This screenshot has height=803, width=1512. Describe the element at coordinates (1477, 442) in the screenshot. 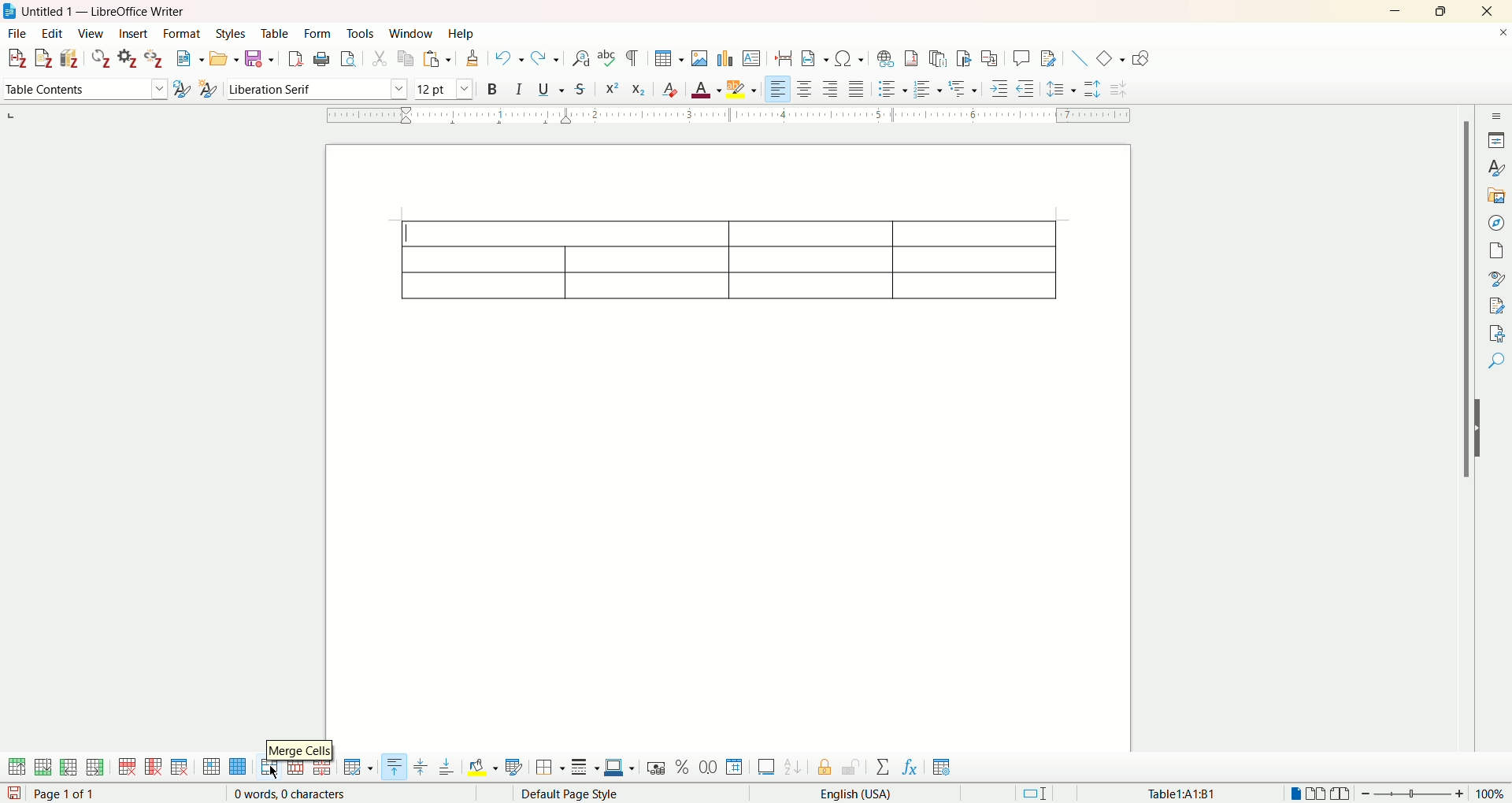

I see `hide` at that location.